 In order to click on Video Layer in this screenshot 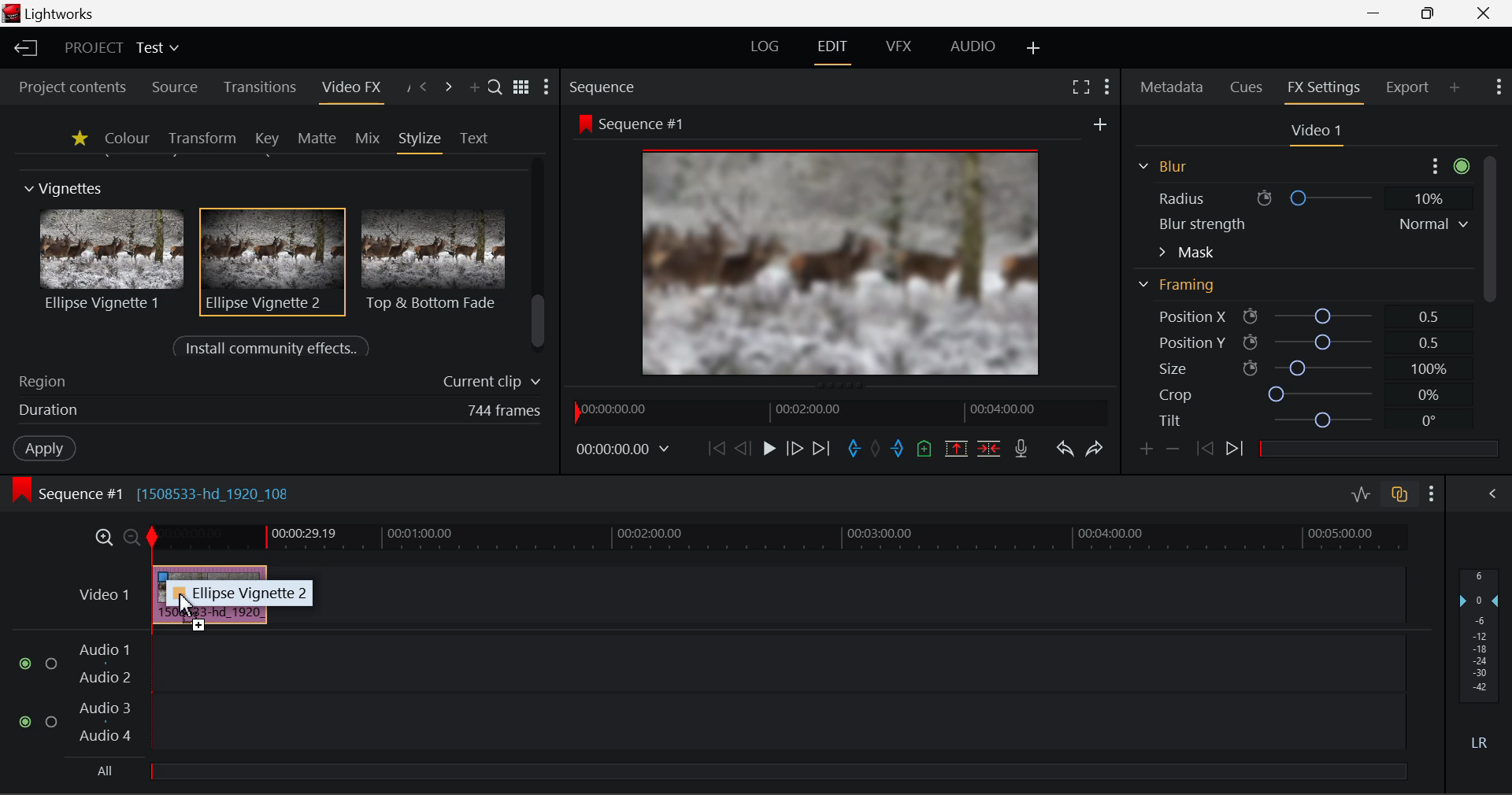, I will do `click(101, 593)`.